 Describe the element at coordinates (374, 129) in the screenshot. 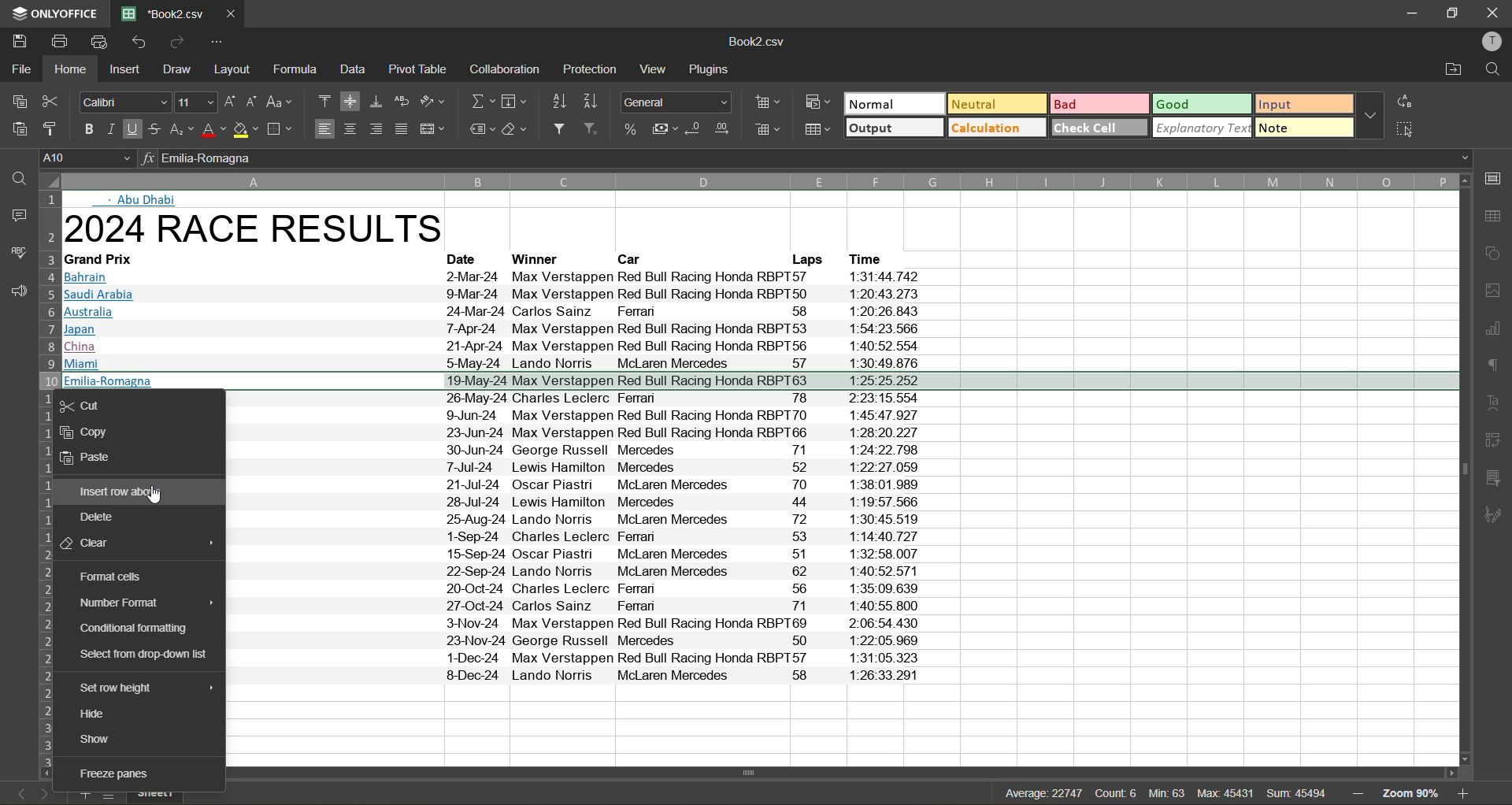

I see `align right` at that location.